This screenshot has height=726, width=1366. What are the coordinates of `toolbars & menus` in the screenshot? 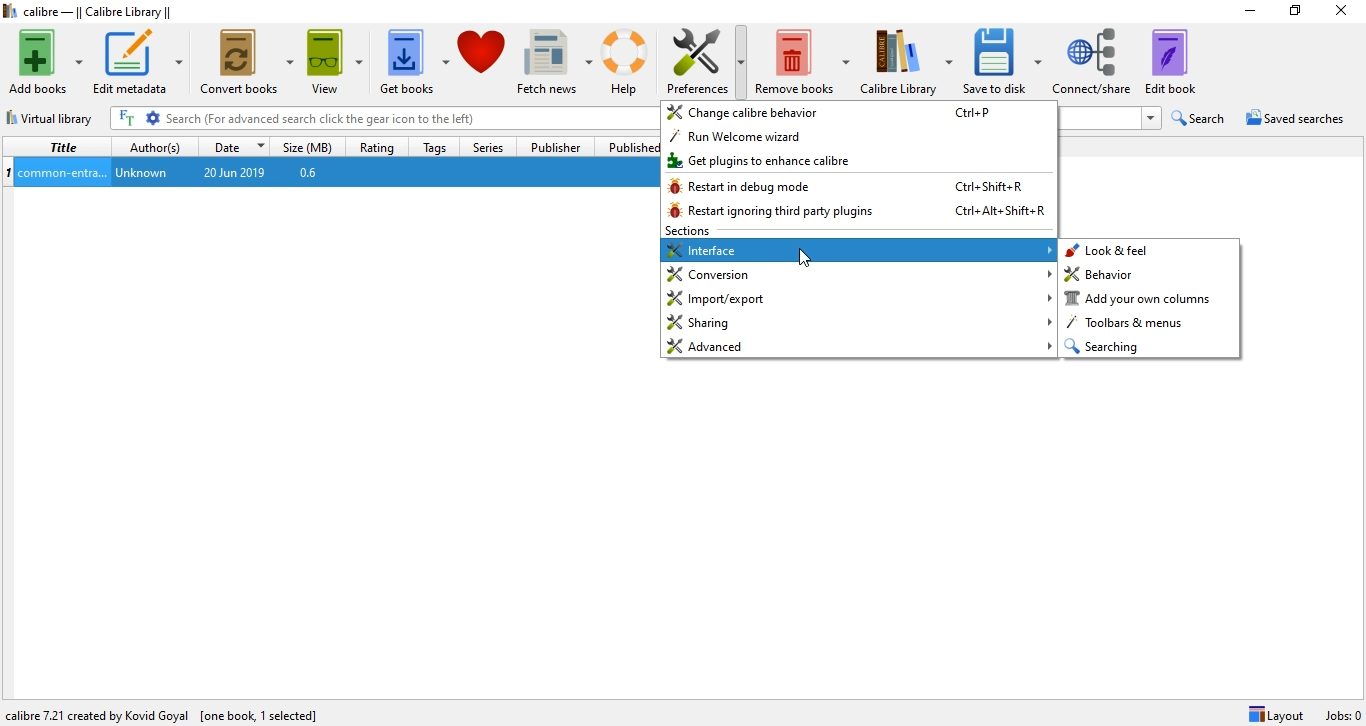 It's located at (1144, 323).